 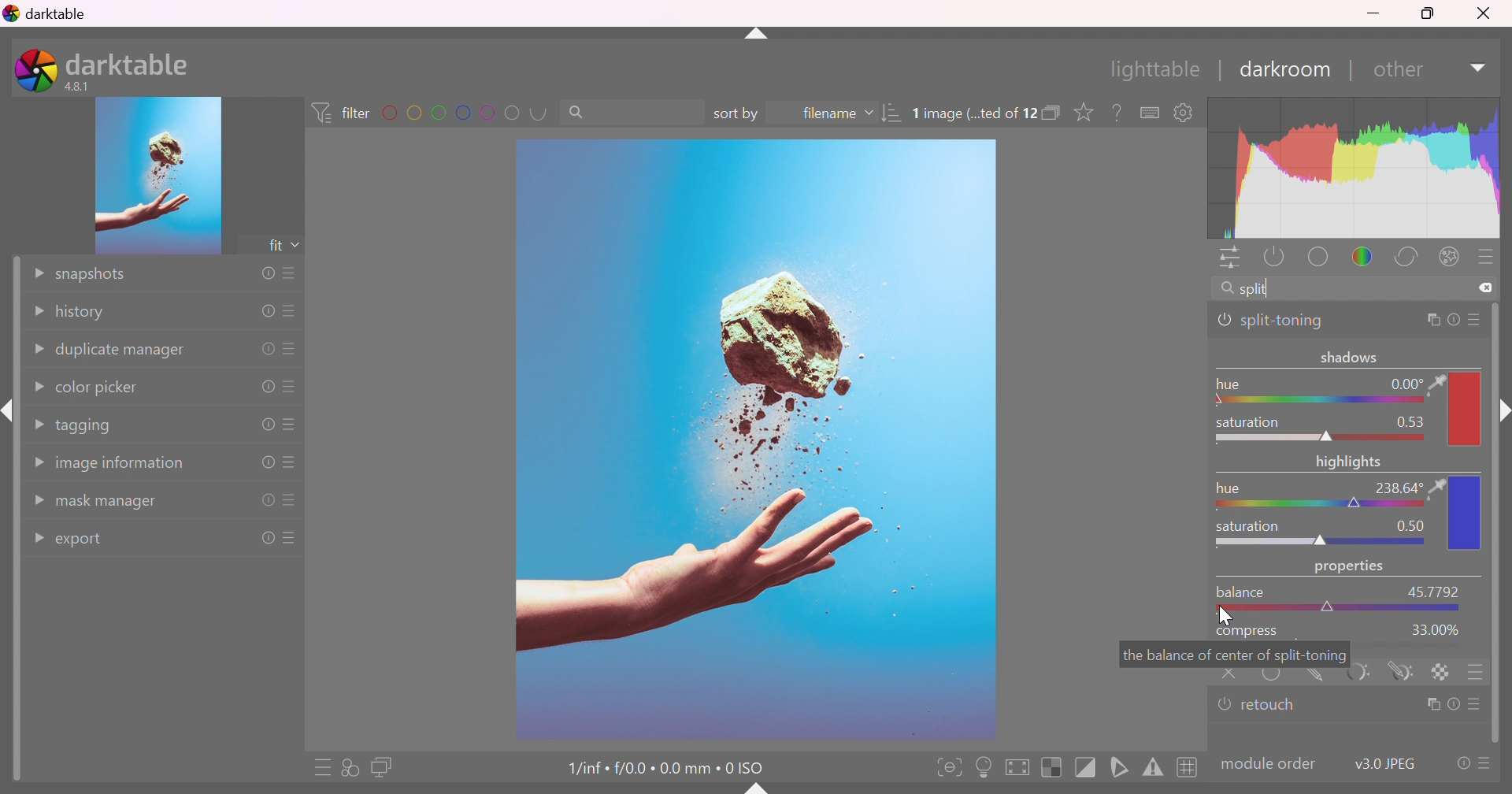 What do you see at coordinates (949, 766) in the screenshot?
I see `toggle focus-peaking mode` at bounding box center [949, 766].